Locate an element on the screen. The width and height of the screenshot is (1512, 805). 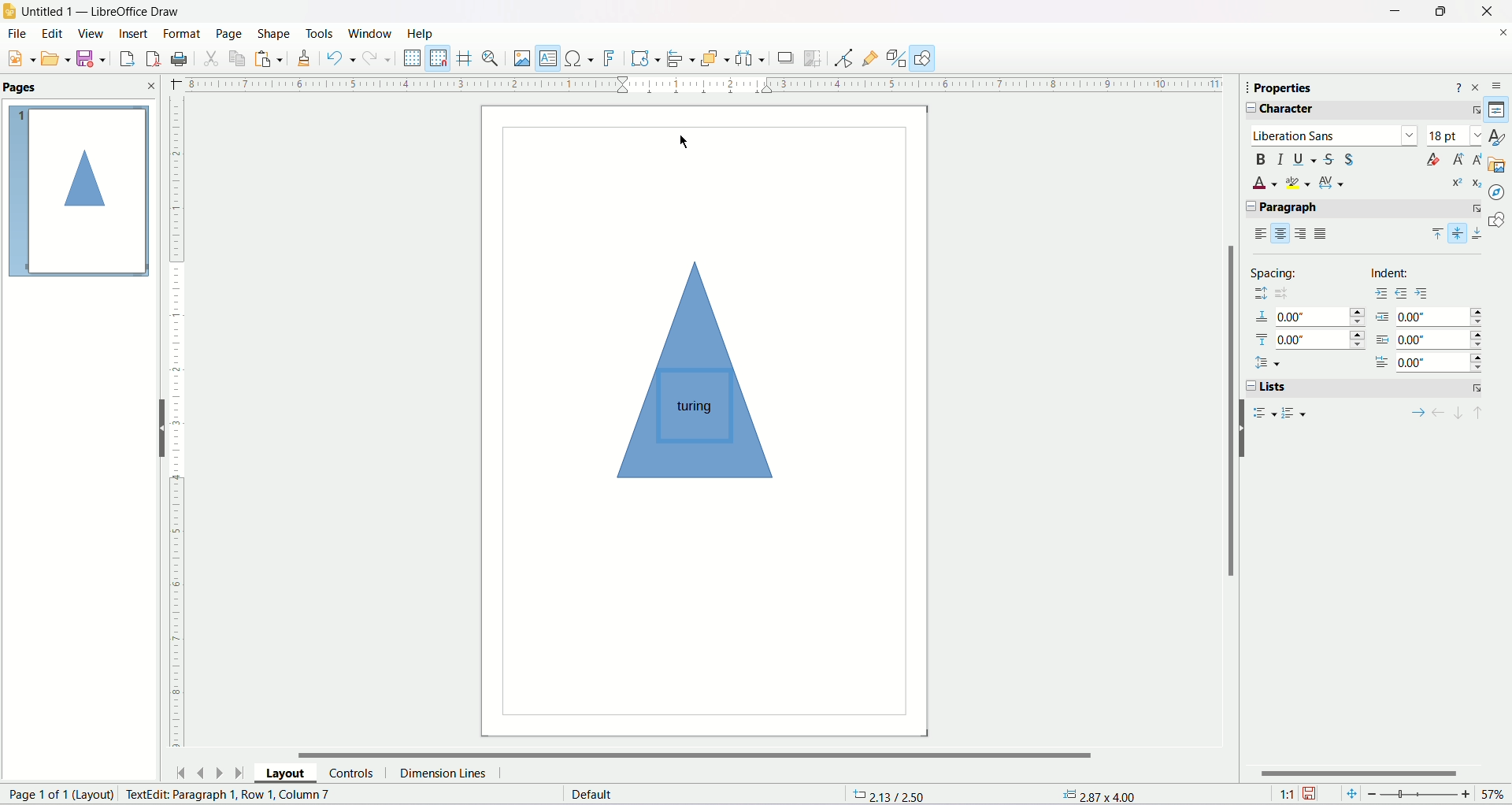
Move to next page is located at coordinates (224, 771).